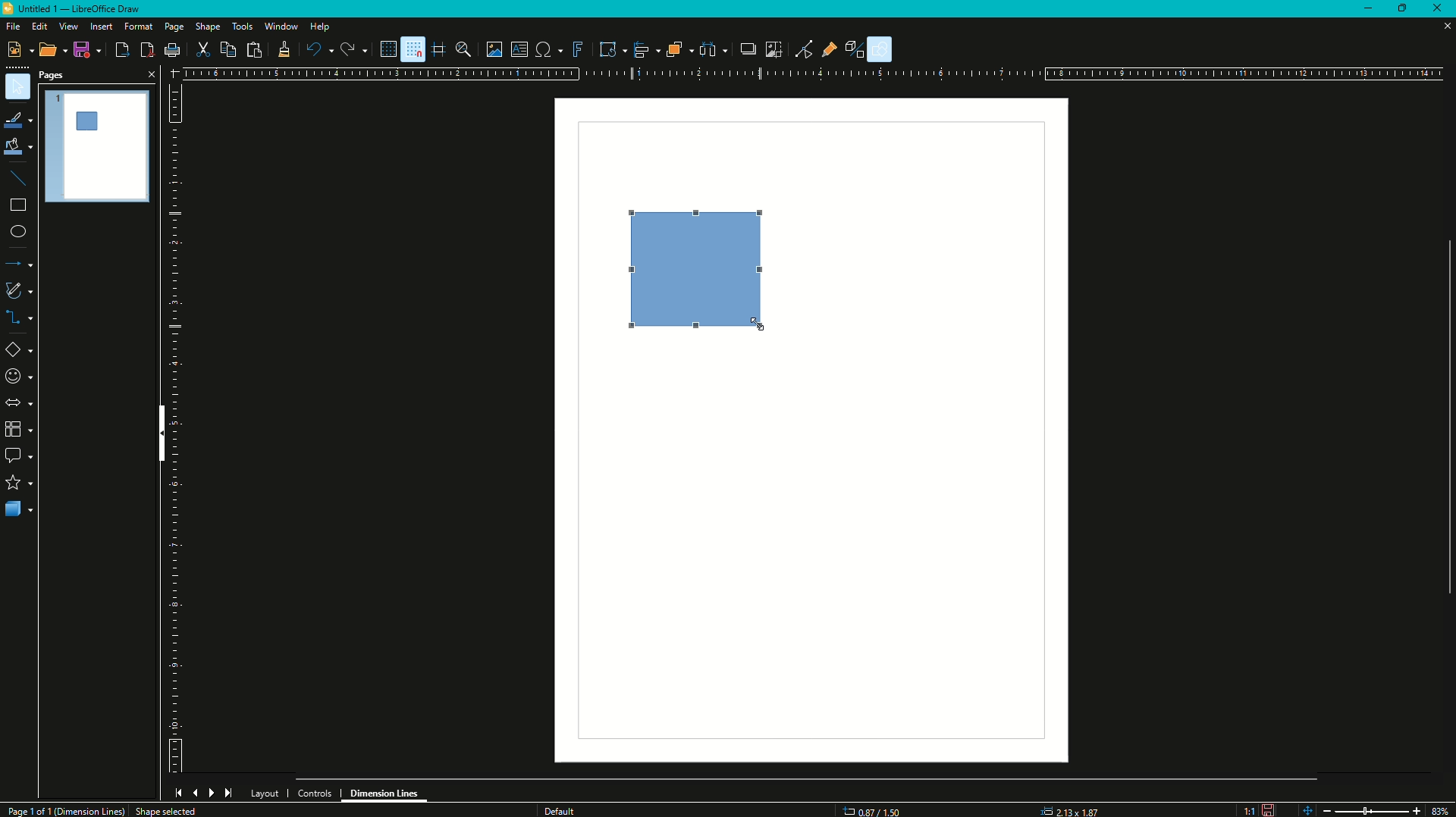  I want to click on Close, so click(1441, 9).